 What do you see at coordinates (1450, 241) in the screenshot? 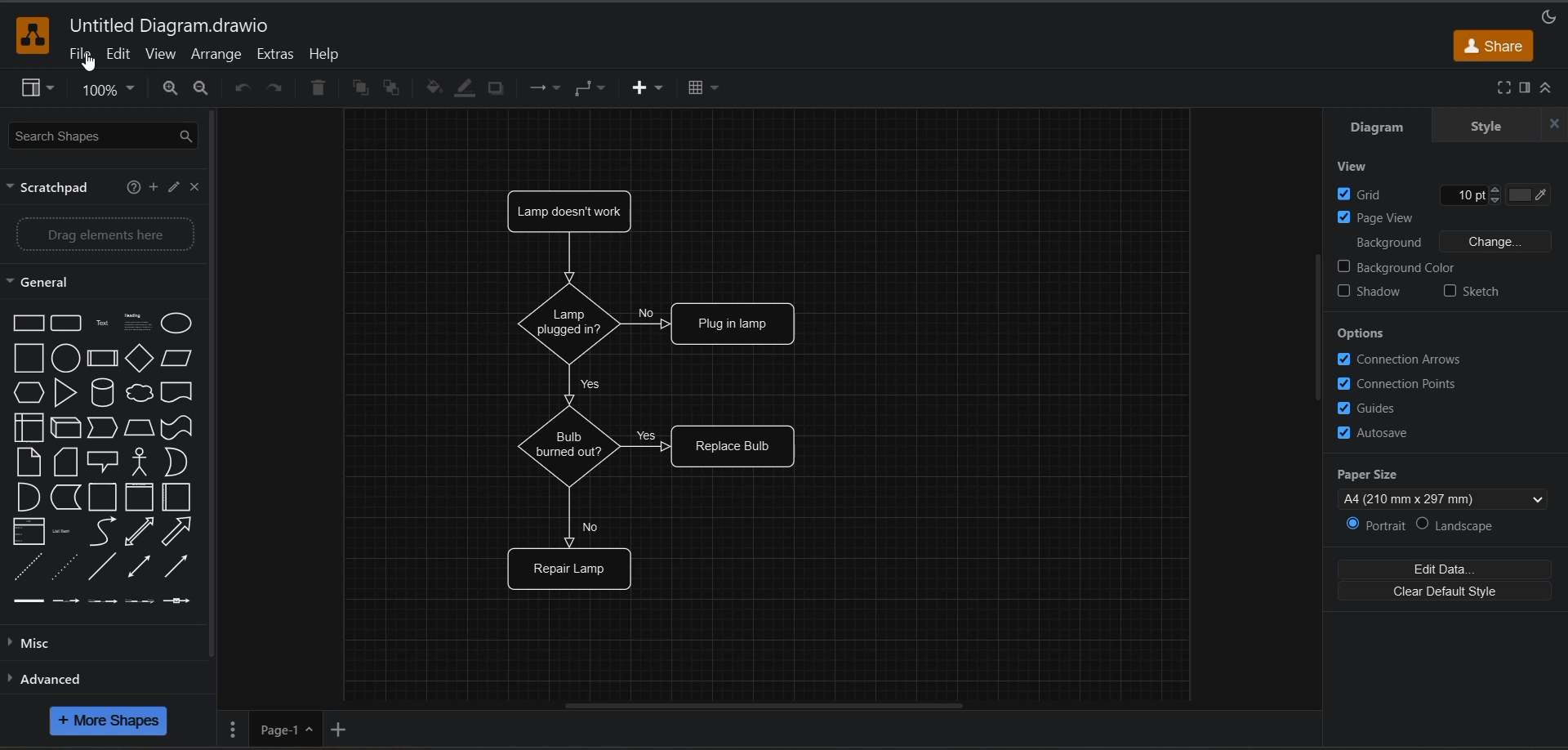
I see `background` at bounding box center [1450, 241].